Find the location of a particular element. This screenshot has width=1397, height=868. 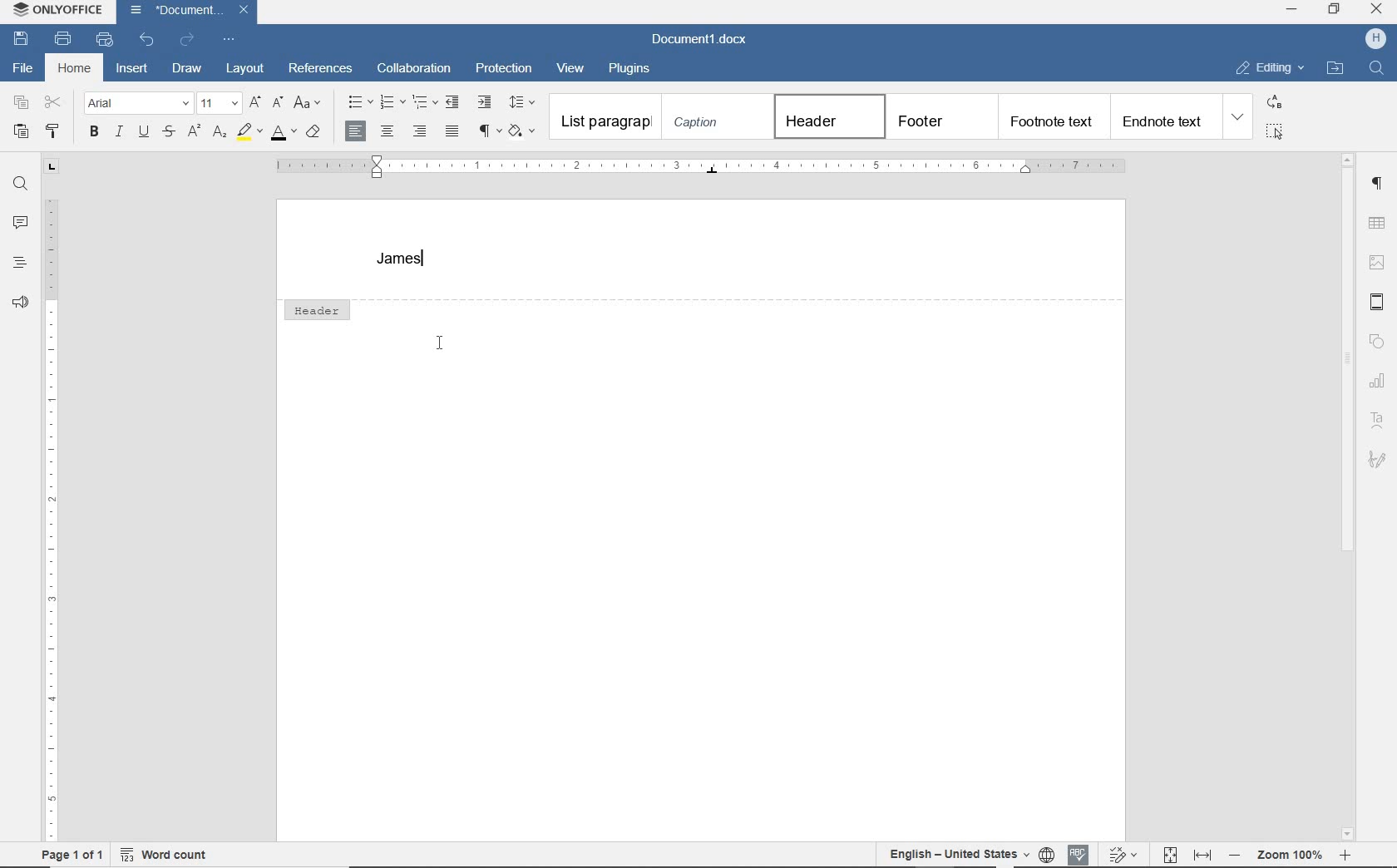

increase indent is located at coordinates (485, 101).